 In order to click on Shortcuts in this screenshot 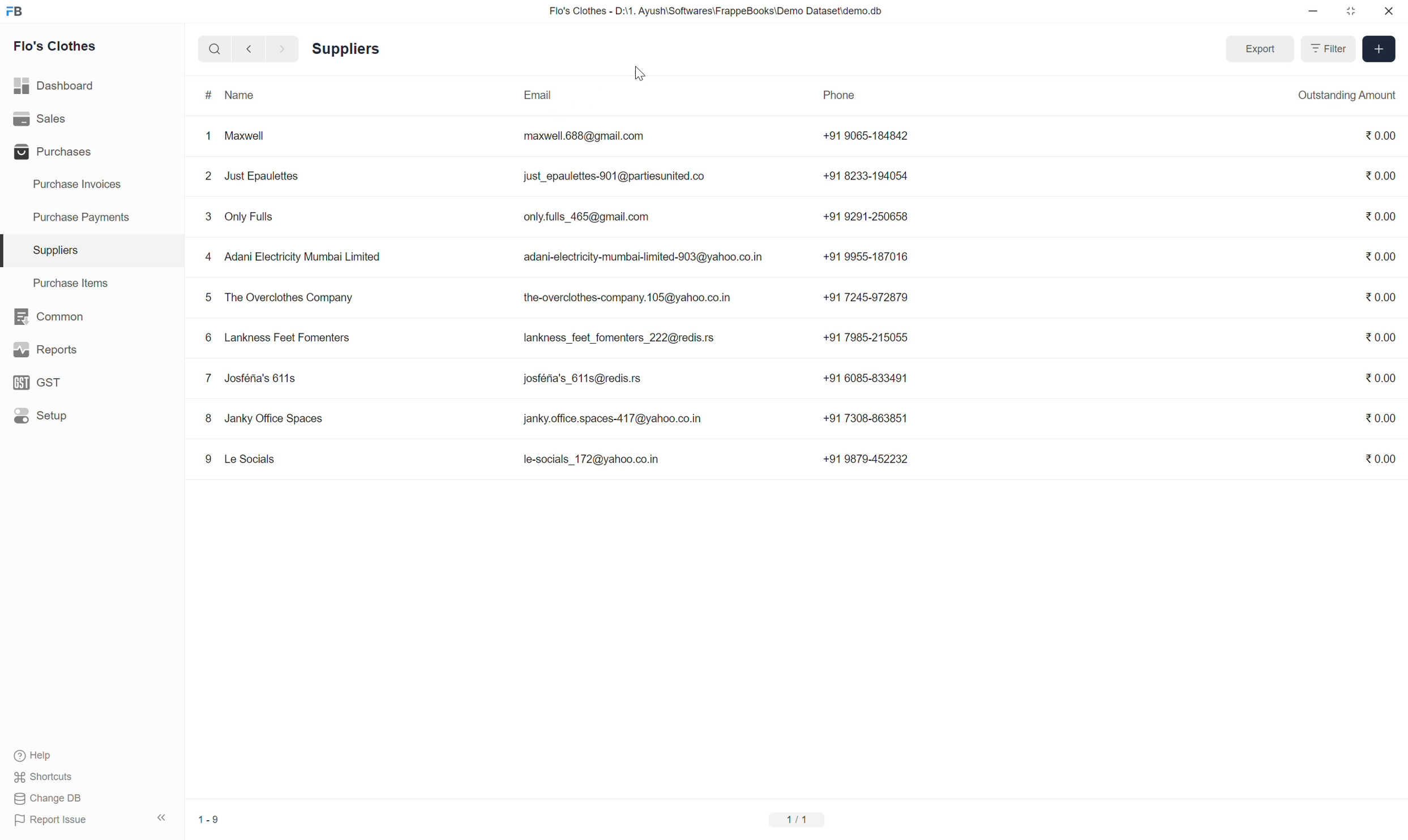, I will do `click(49, 777)`.